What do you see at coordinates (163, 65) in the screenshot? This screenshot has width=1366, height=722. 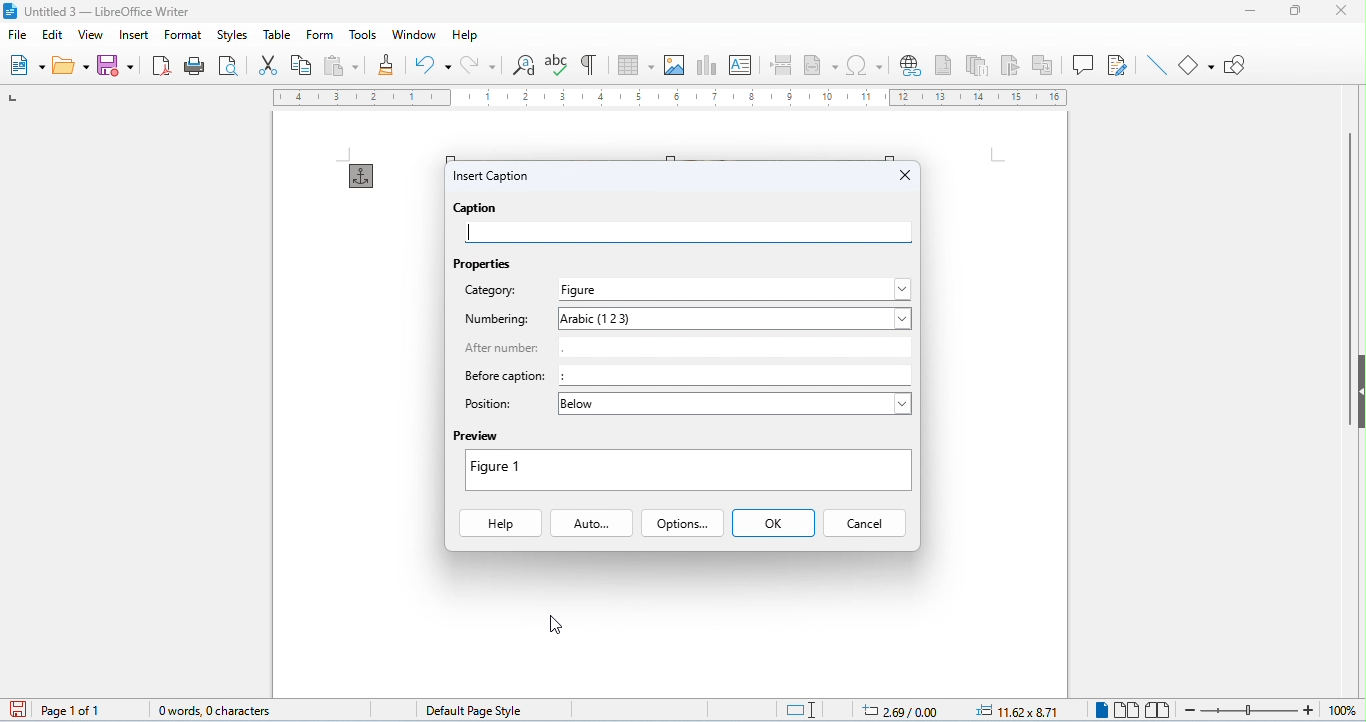 I see `export pdf` at bounding box center [163, 65].